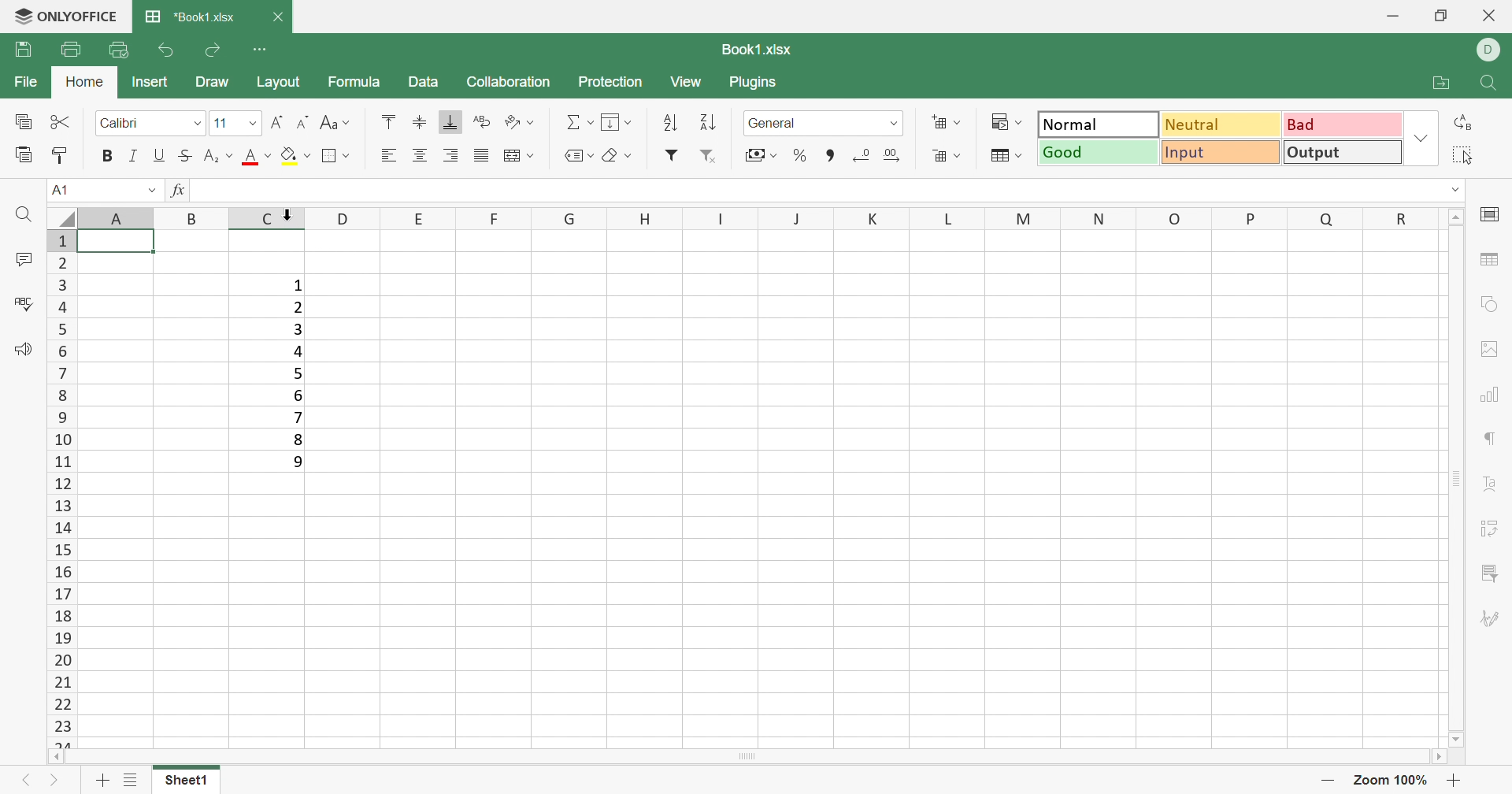 This screenshot has width=1512, height=794. What do you see at coordinates (150, 83) in the screenshot?
I see `Insert` at bounding box center [150, 83].